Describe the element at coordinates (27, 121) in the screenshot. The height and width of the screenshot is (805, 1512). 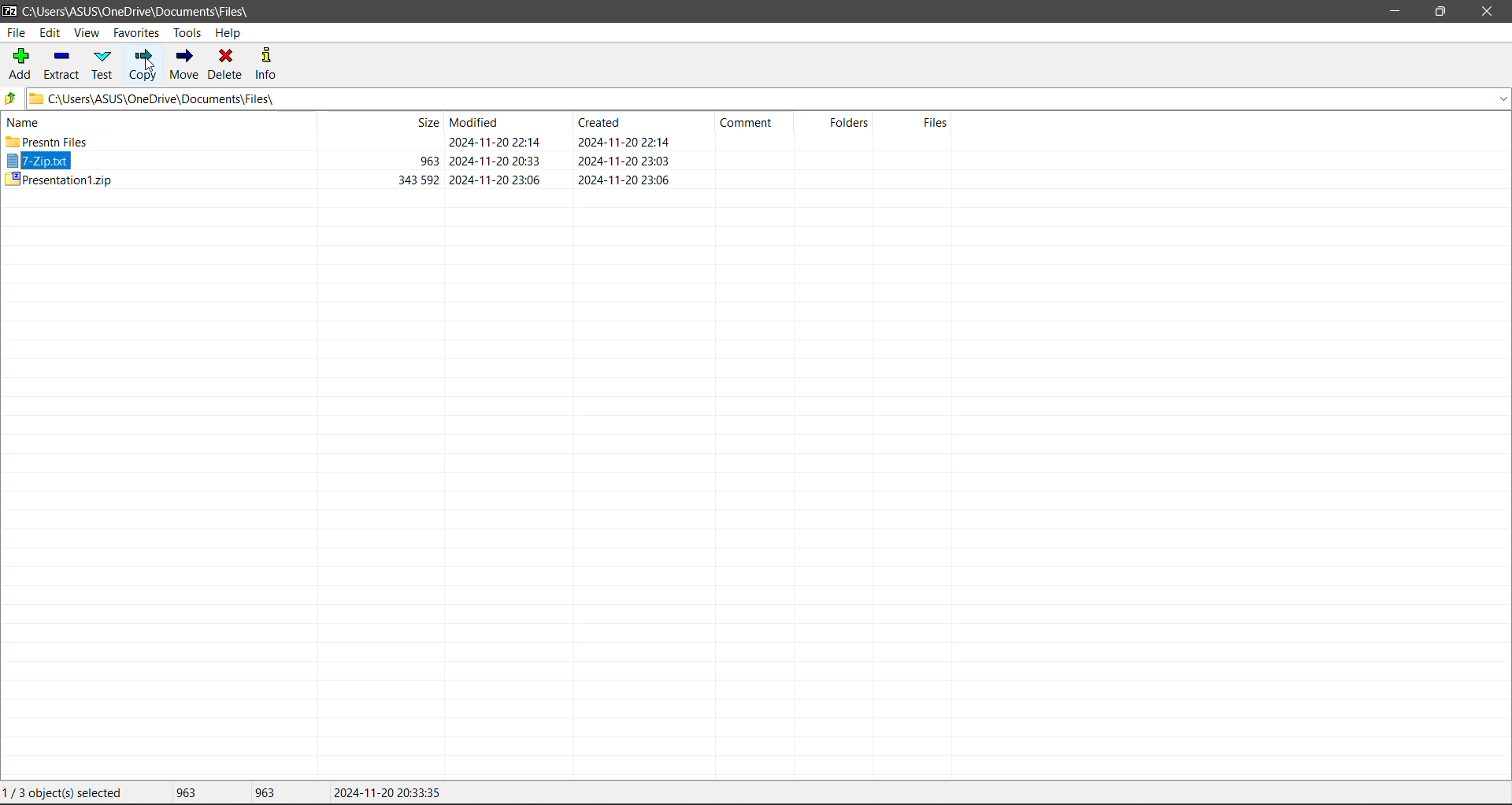
I see `Name` at that location.